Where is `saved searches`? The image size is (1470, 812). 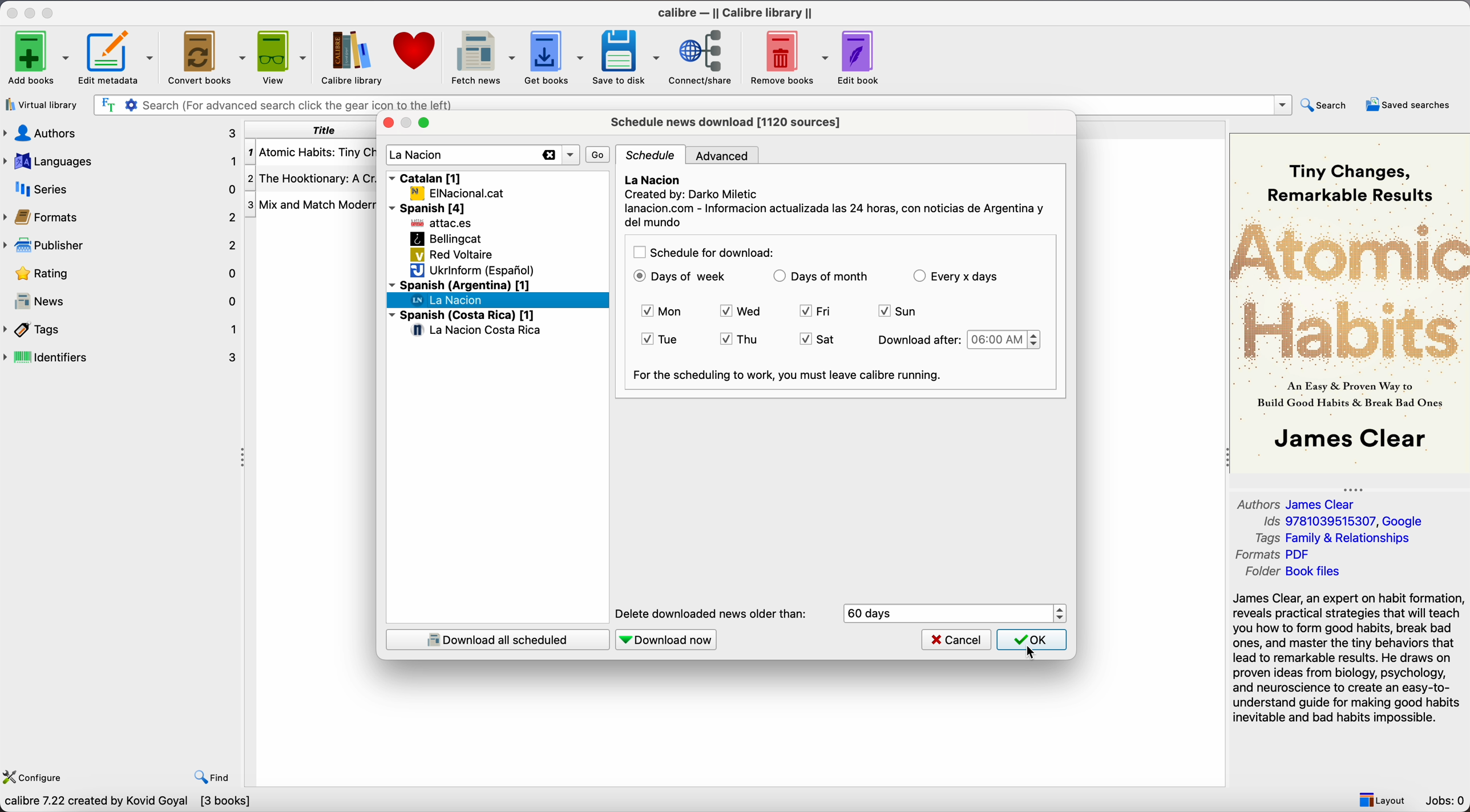 saved searches is located at coordinates (1411, 104).